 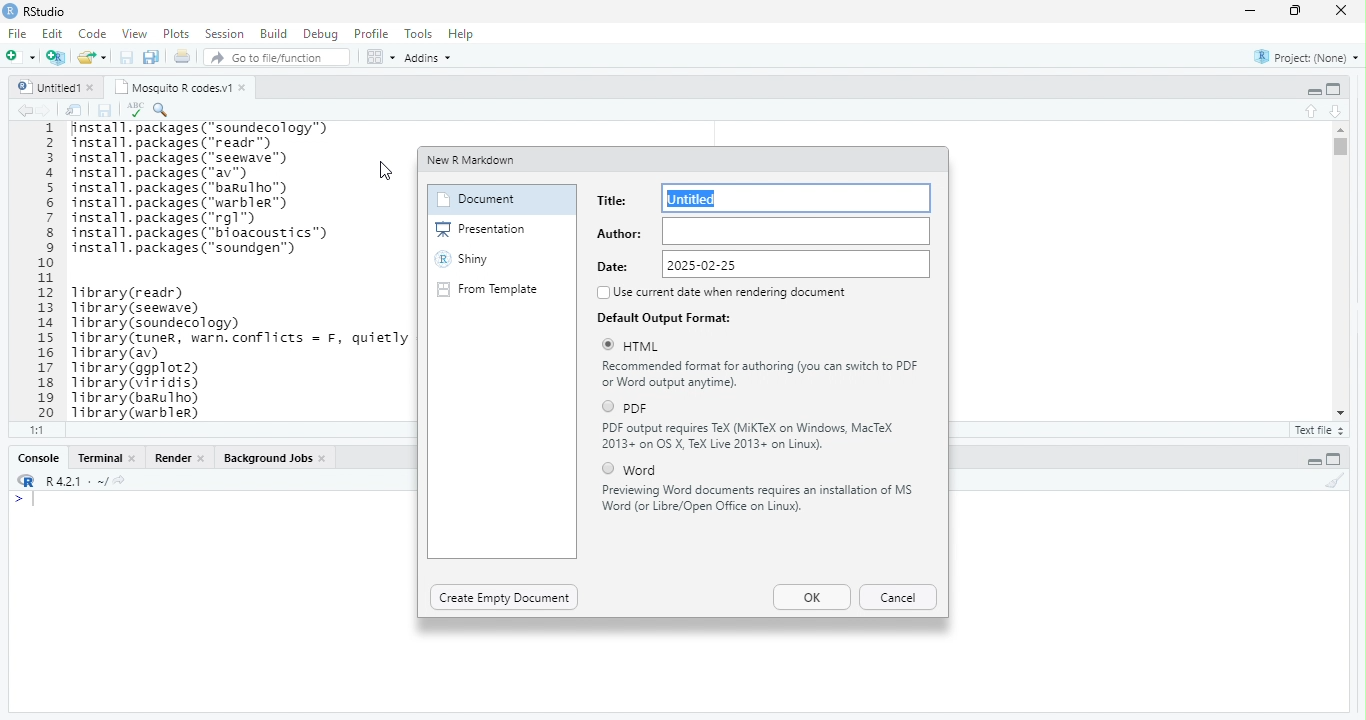 What do you see at coordinates (812, 597) in the screenshot?
I see `ok` at bounding box center [812, 597].